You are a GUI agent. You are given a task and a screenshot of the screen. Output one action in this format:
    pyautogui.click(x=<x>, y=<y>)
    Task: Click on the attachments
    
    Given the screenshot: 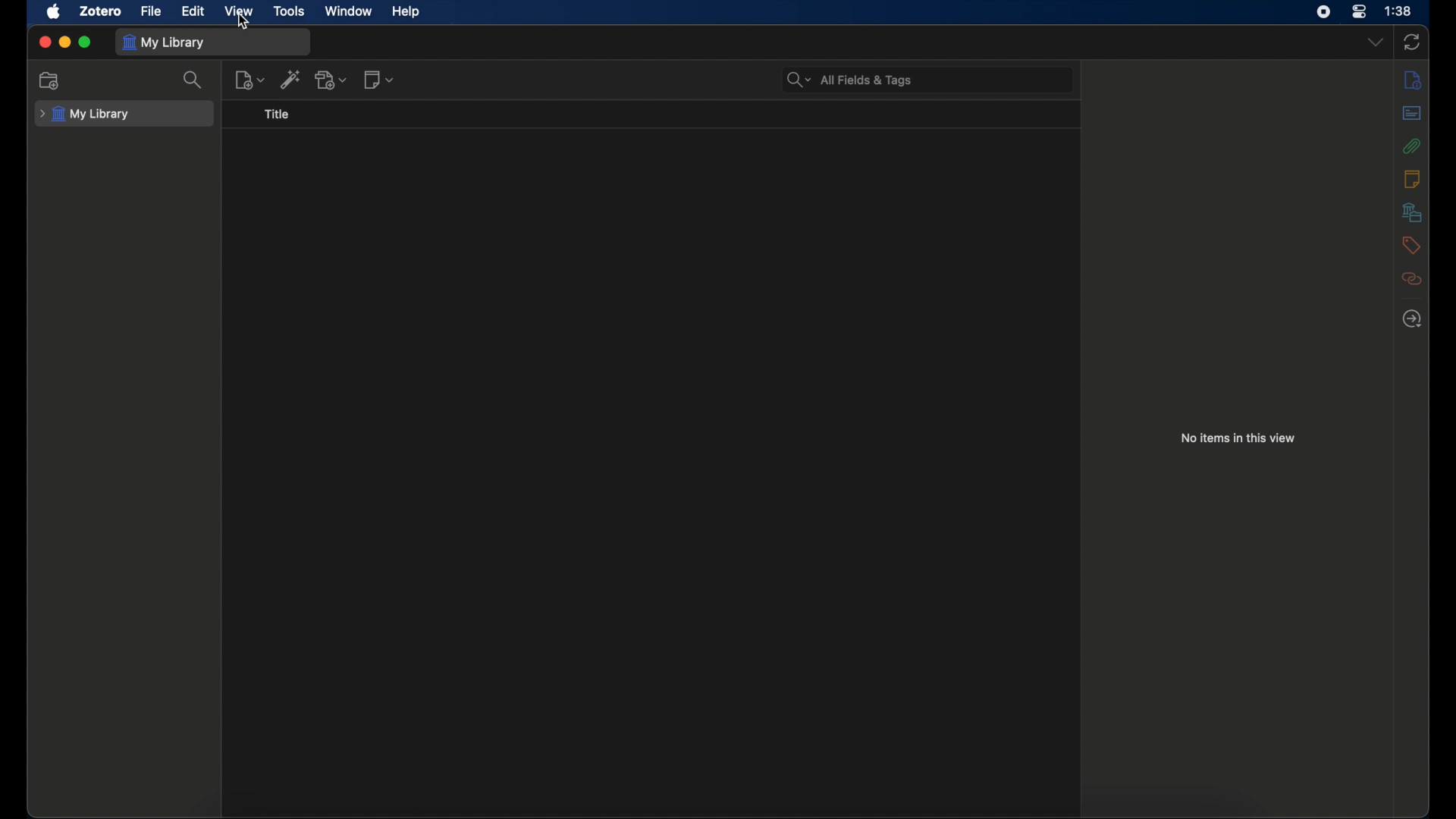 What is the action you would take?
    pyautogui.click(x=1412, y=146)
    